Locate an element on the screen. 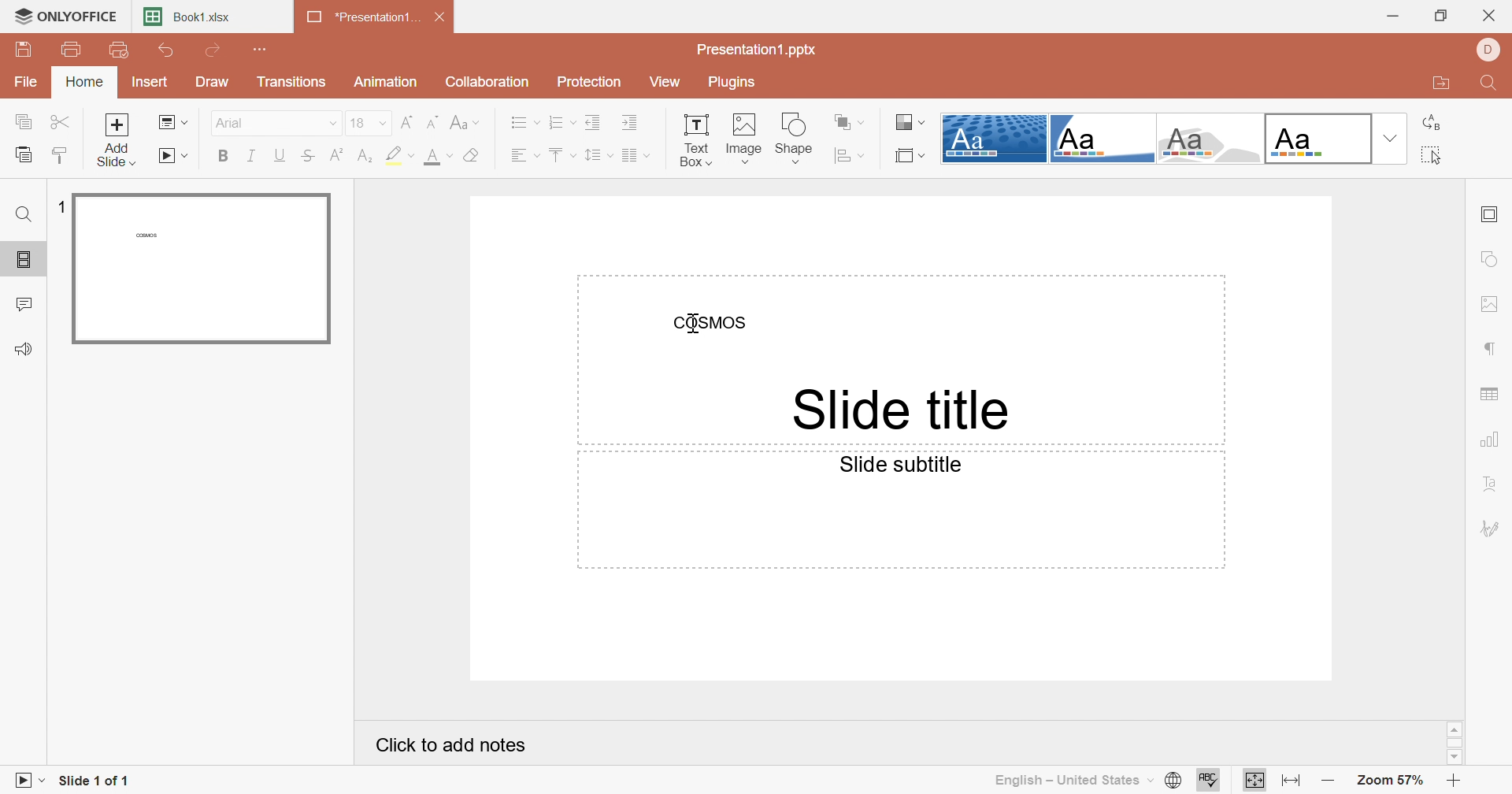 This screenshot has height=794, width=1512. Numbering is located at coordinates (561, 123).